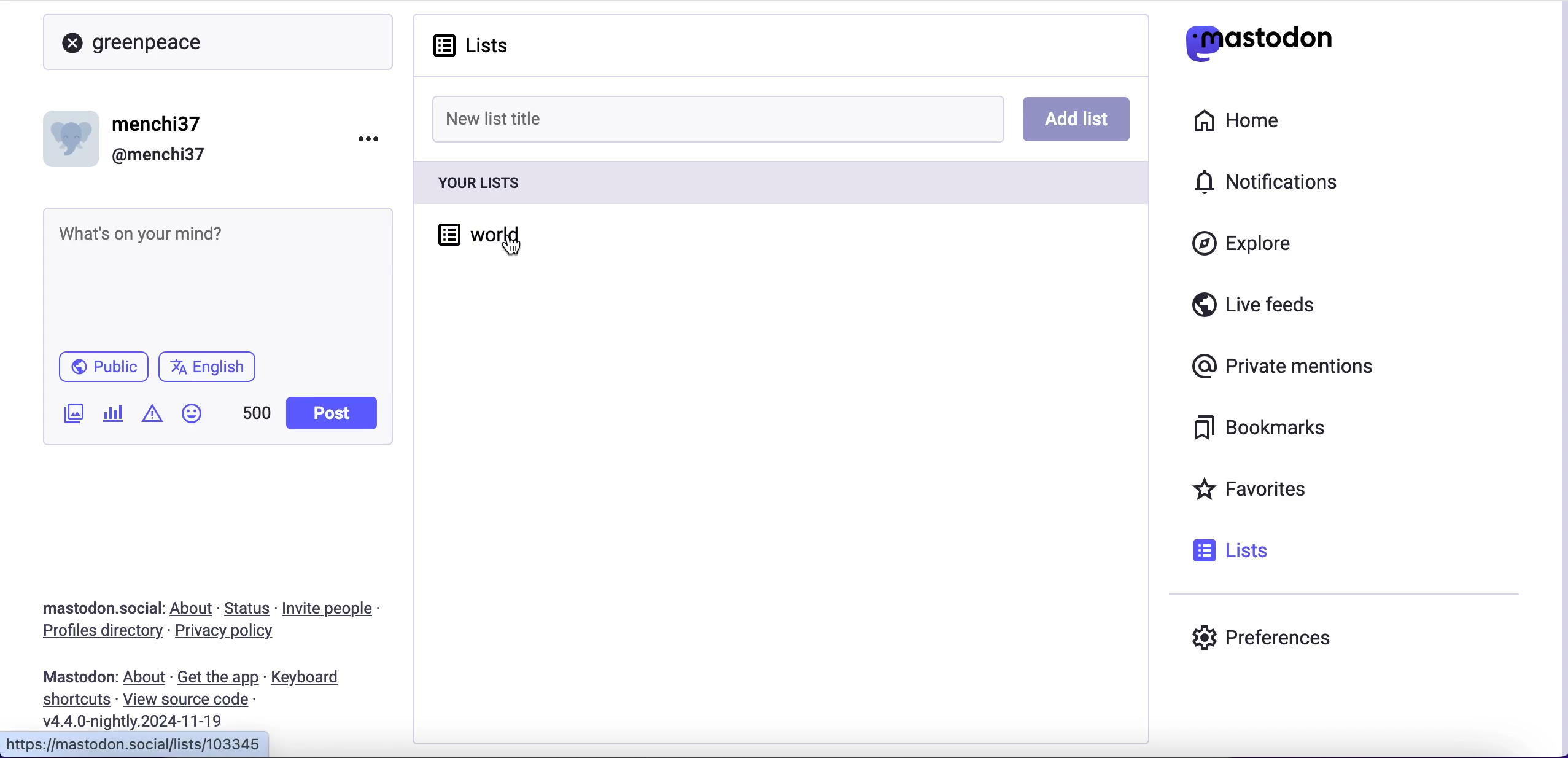  What do you see at coordinates (335, 413) in the screenshot?
I see `post button` at bounding box center [335, 413].